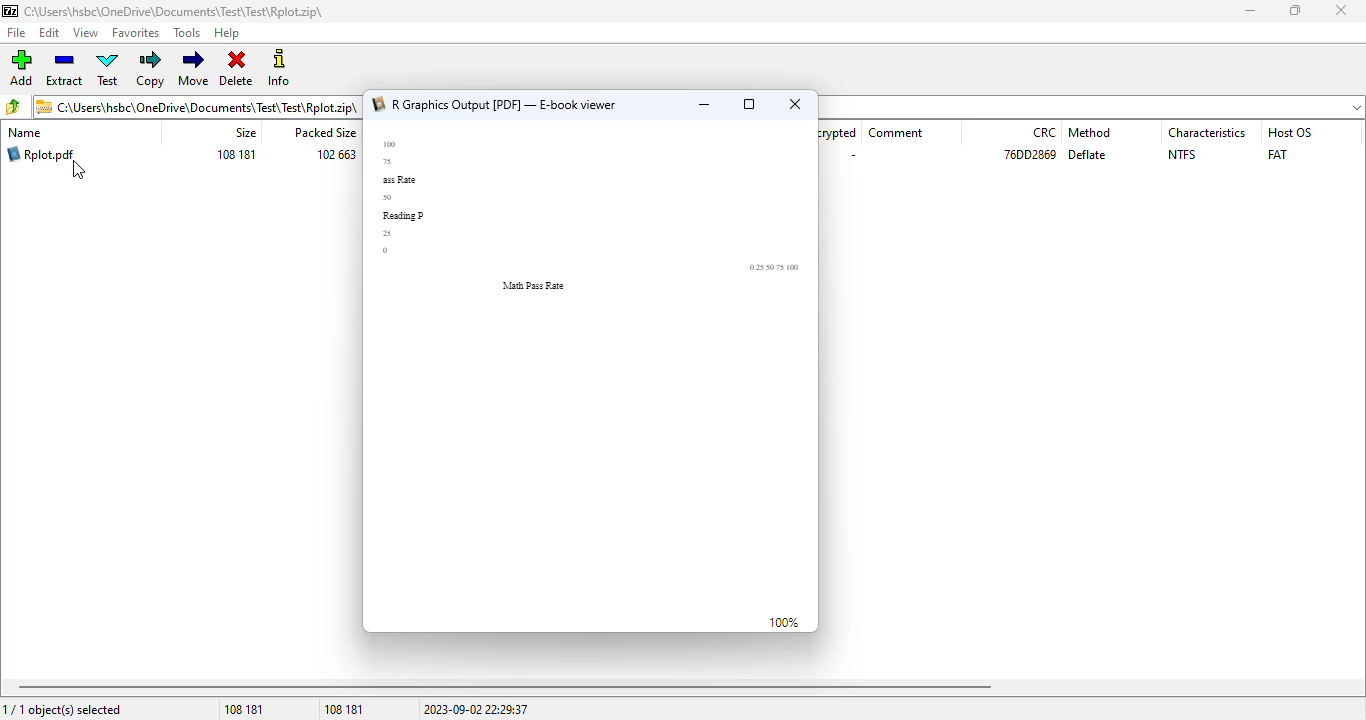  Describe the element at coordinates (279, 68) in the screenshot. I see `info` at that location.